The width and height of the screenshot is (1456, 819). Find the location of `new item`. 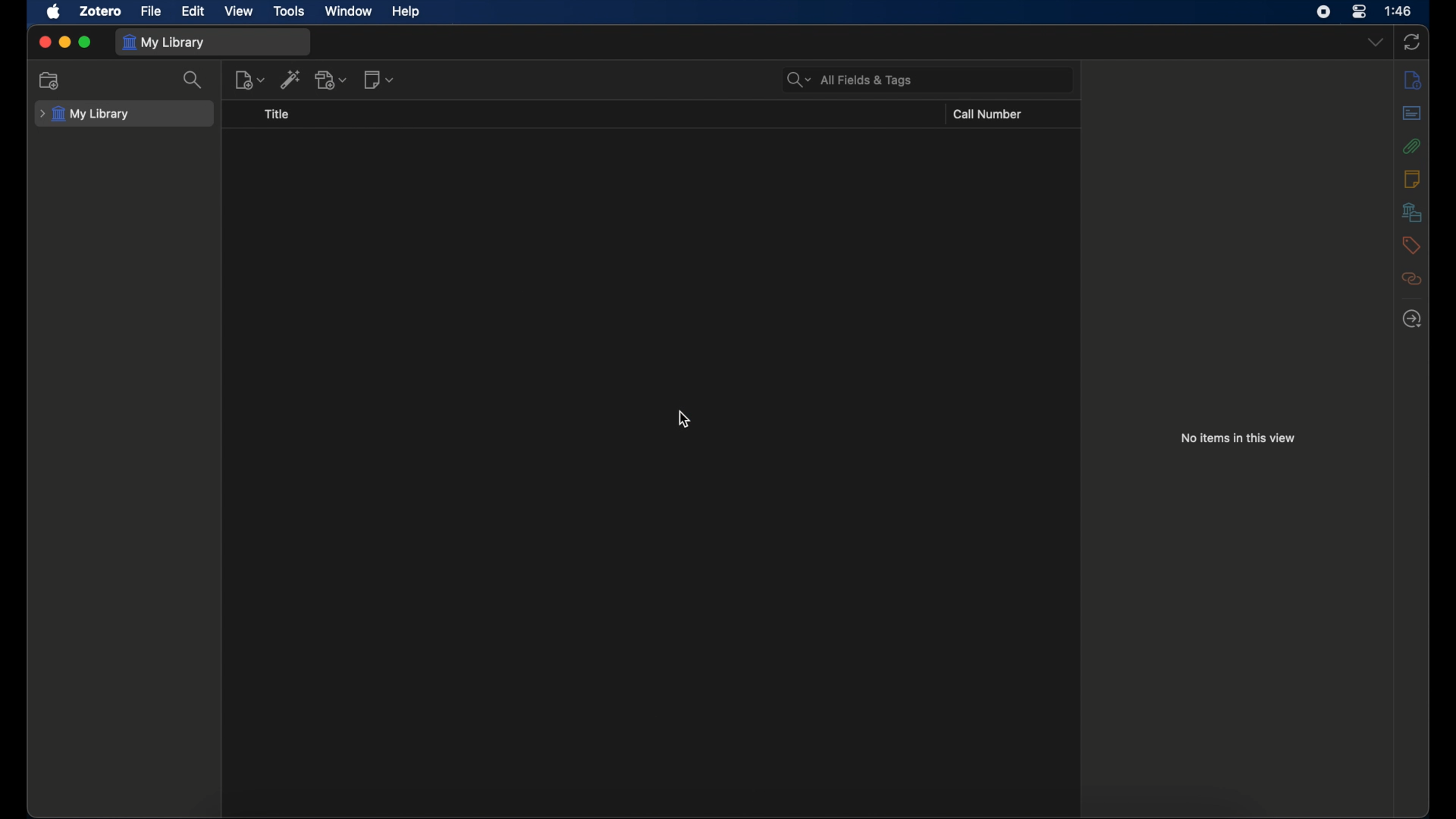

new item is located at coordinates (250, 80).